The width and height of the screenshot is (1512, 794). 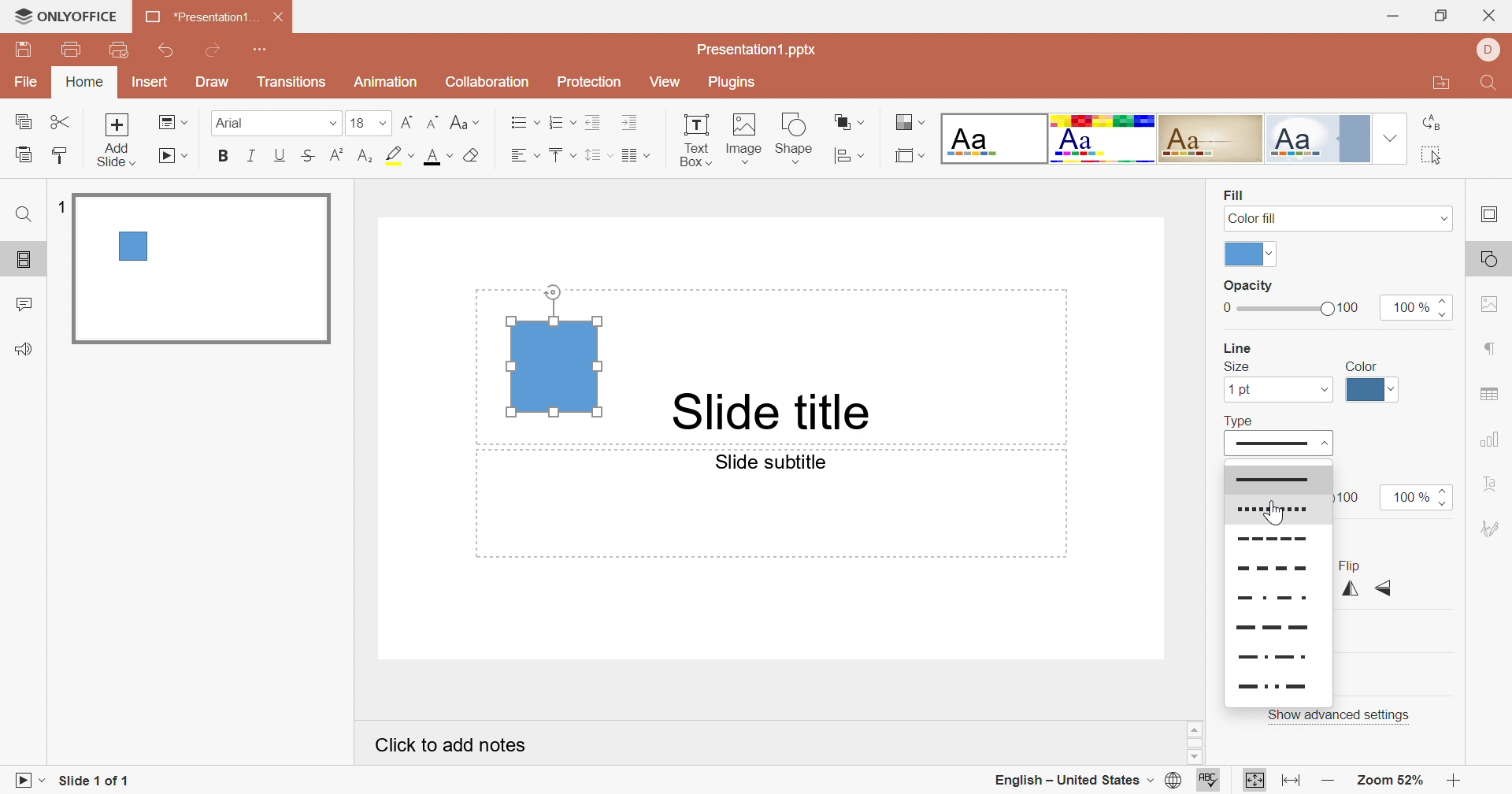 I want to click on Customize Quick Access Toolbar, so click(x=120, y=50).